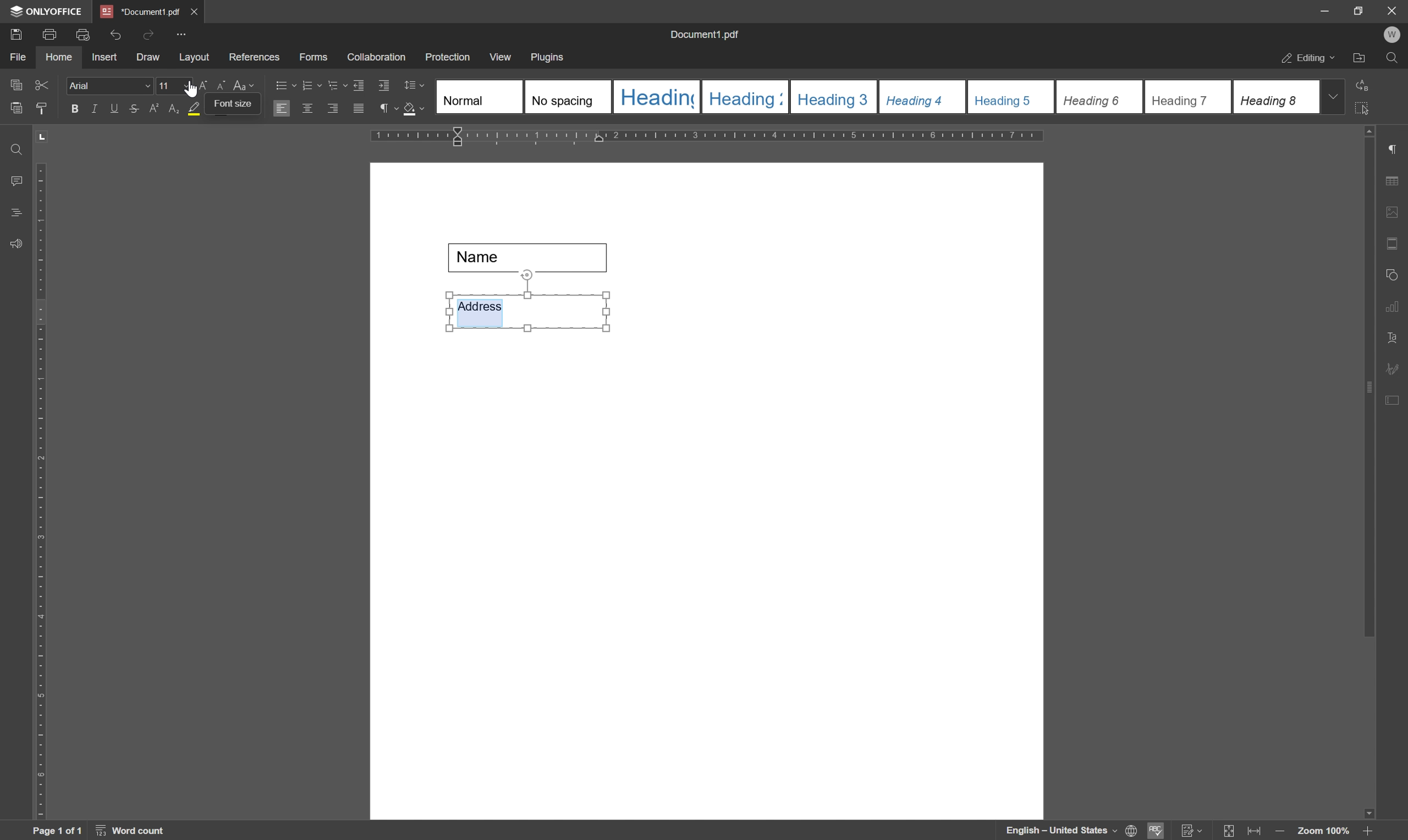  What do you see at coordinates (876, 96) in the screenshot?
I see `Type of headings` at bounding box center [876, 96].